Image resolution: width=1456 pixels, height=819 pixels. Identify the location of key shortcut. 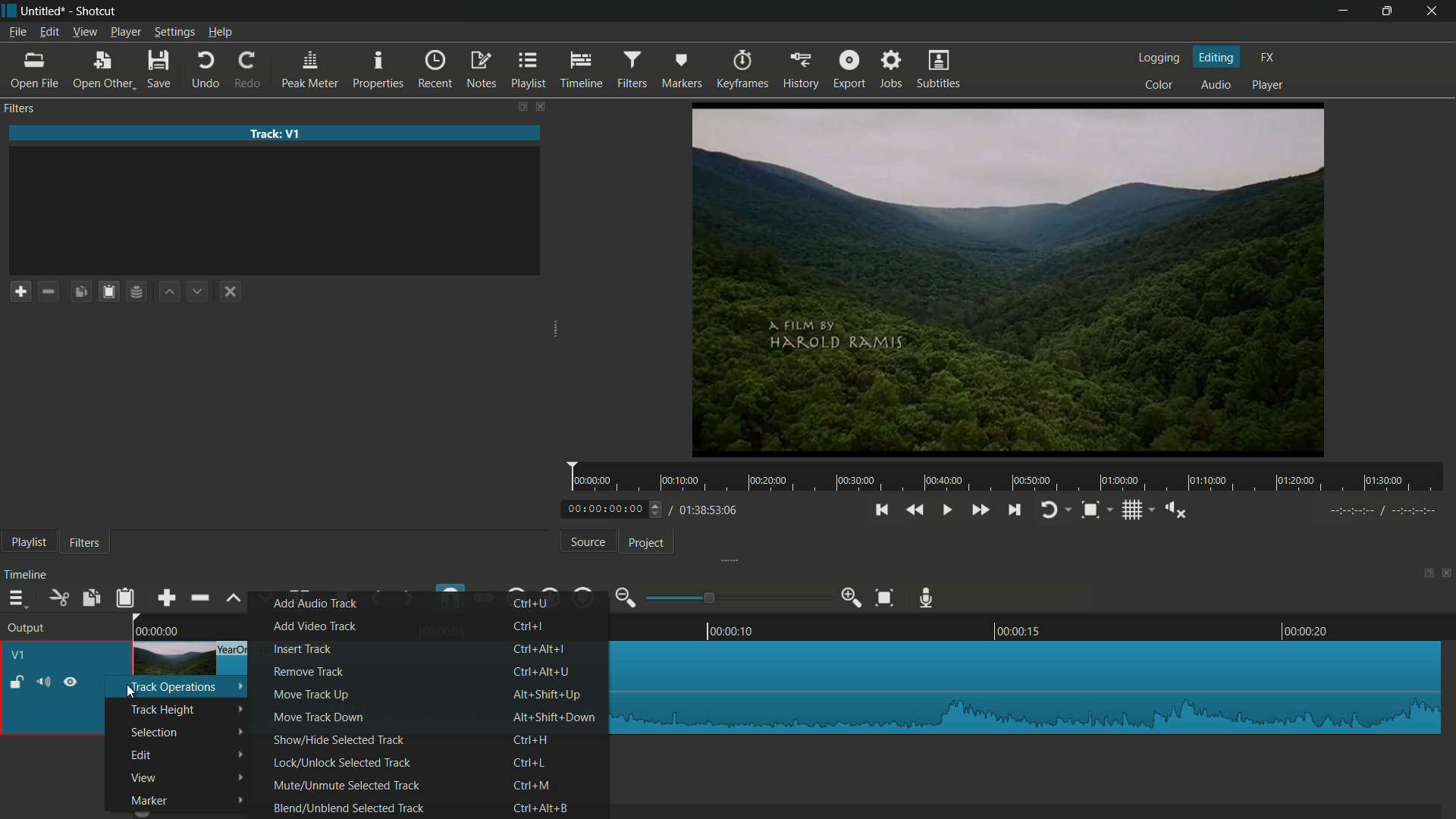
(544, 807).